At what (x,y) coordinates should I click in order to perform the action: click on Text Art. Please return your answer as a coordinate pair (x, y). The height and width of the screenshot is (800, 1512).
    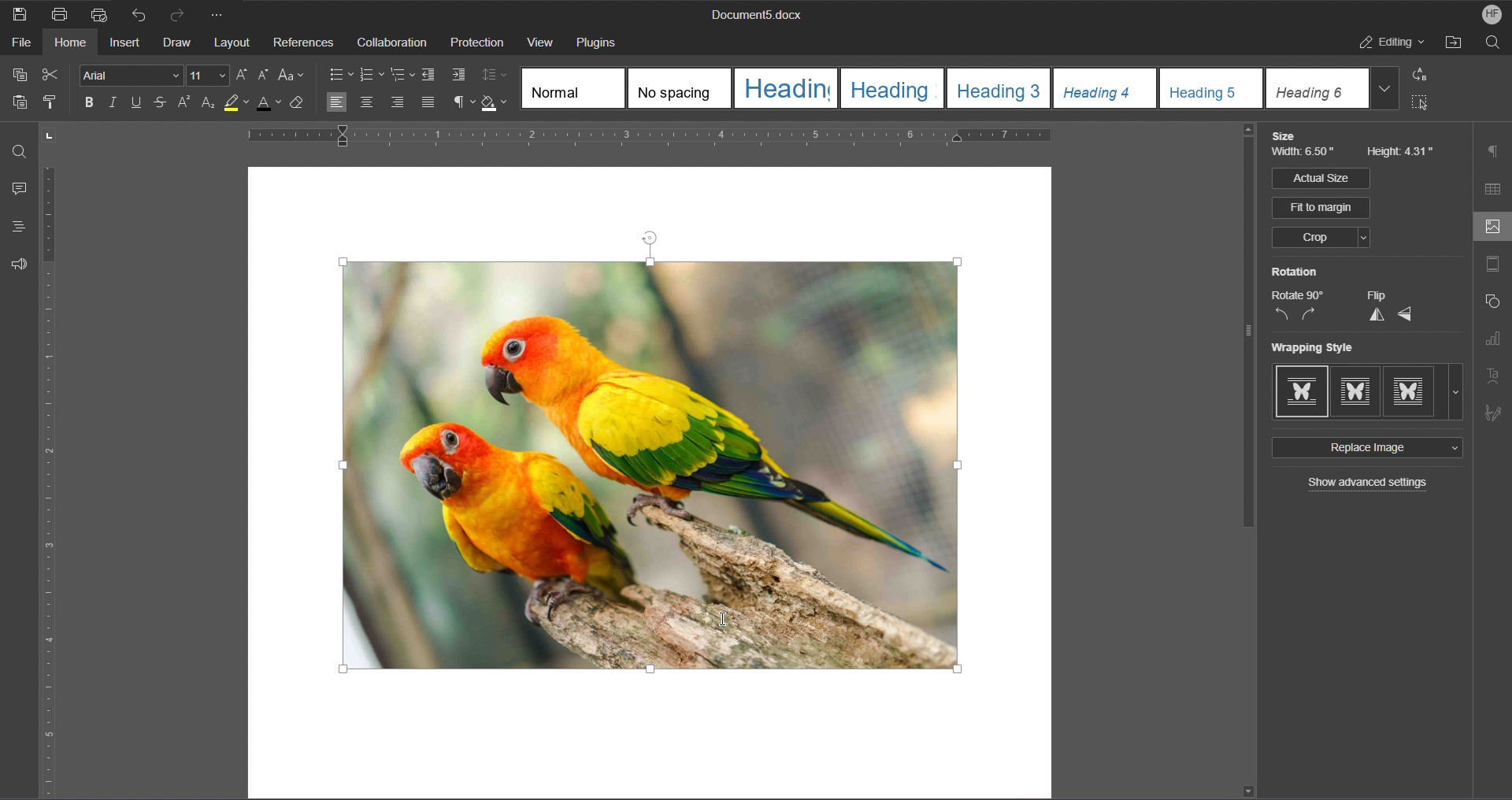
    Looking at the image, I should click on (1495, 375).